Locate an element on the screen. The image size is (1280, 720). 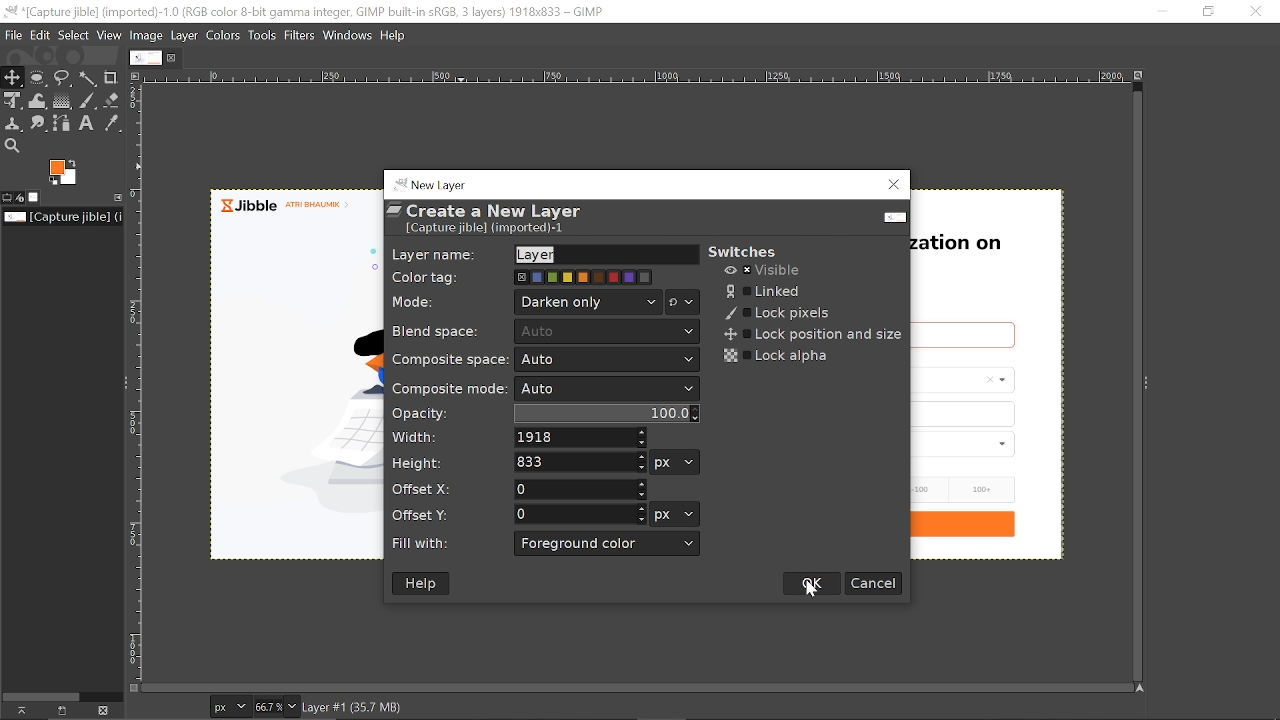
Lock position and size is located at coordinates (813, 334).